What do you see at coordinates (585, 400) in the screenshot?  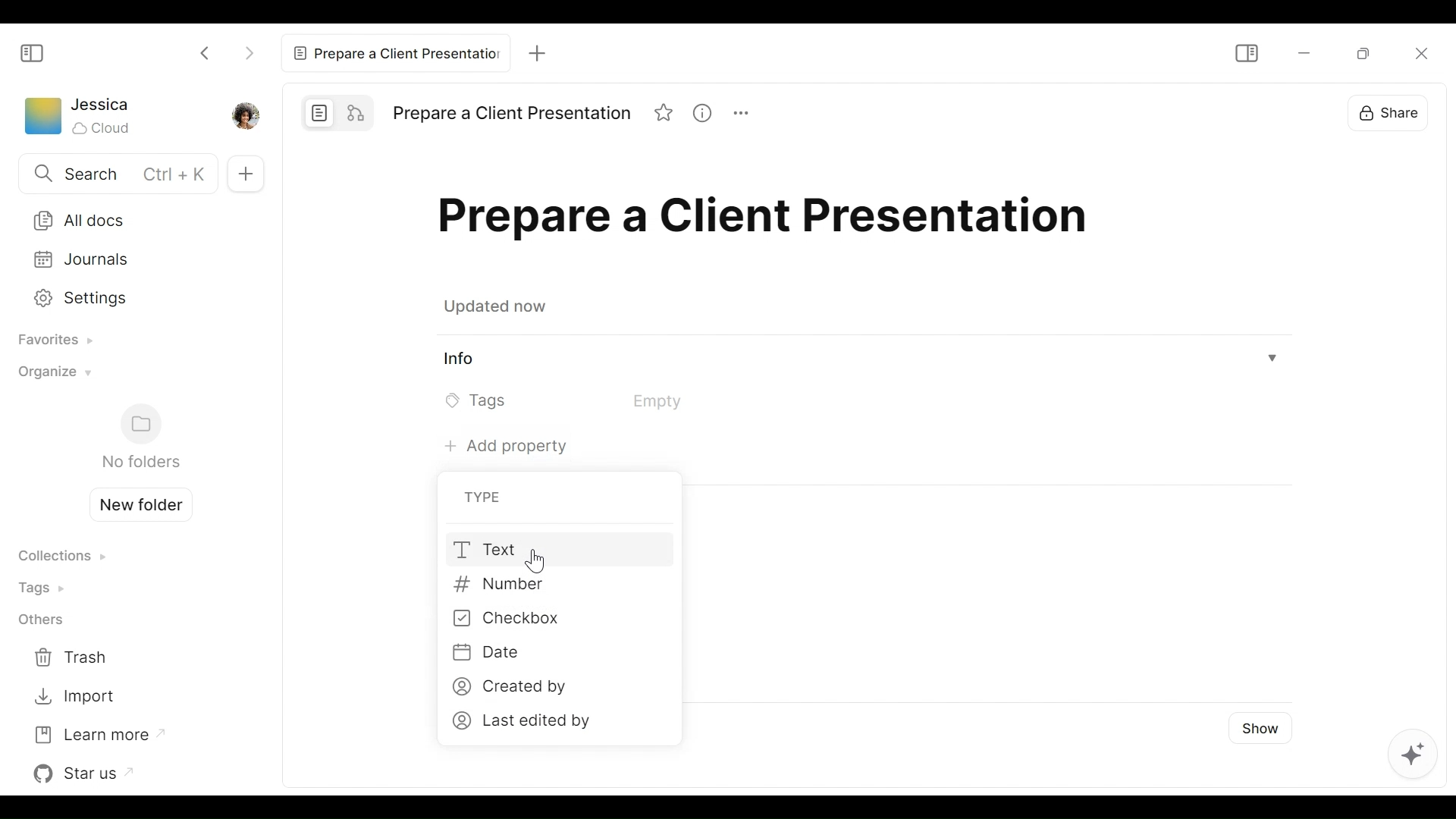 I see `Tags` at bounding box center [585, 400].